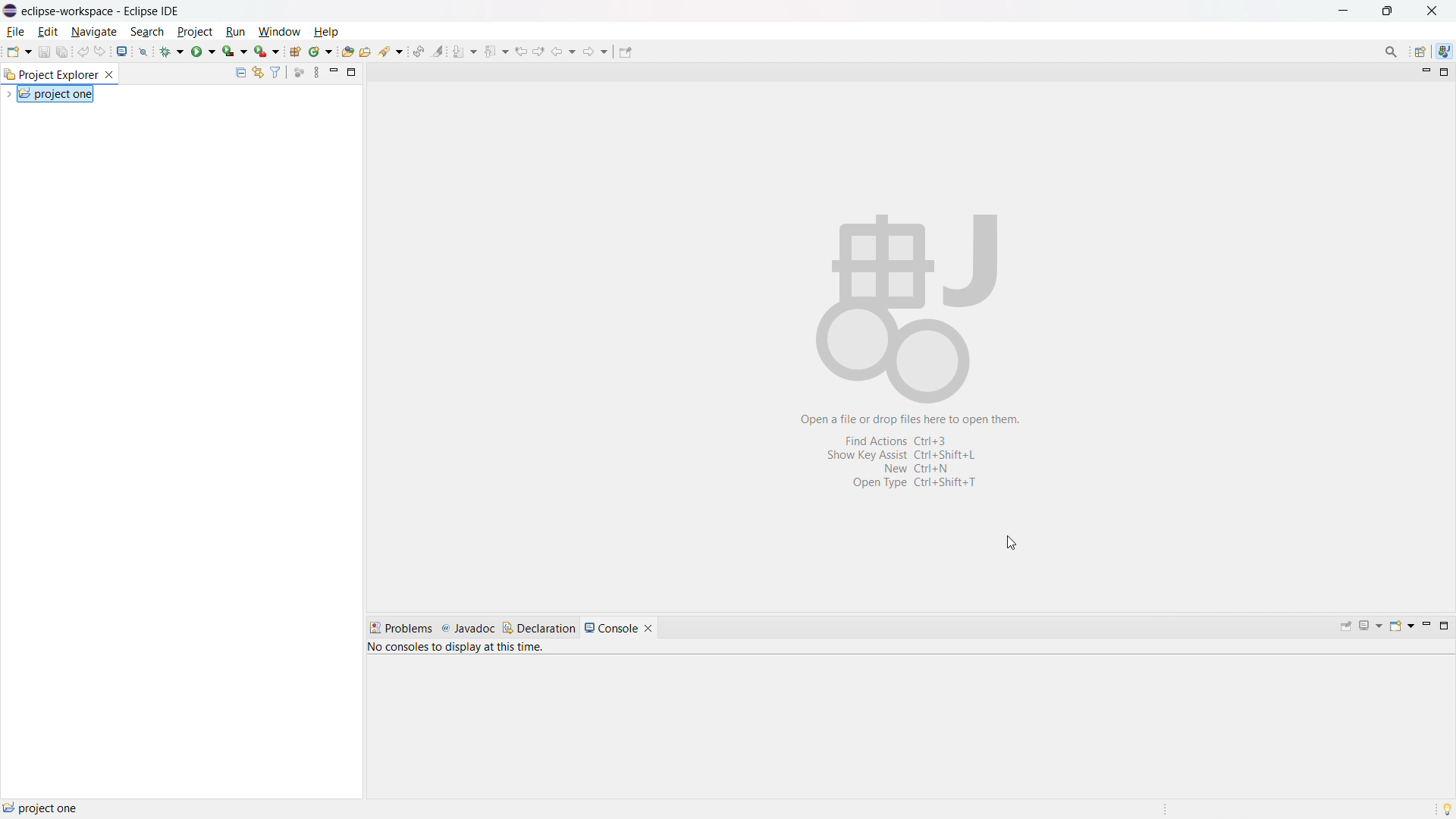 The height and width of the screenshot is (819, 1456). I want to click on search, so click(391, 52).